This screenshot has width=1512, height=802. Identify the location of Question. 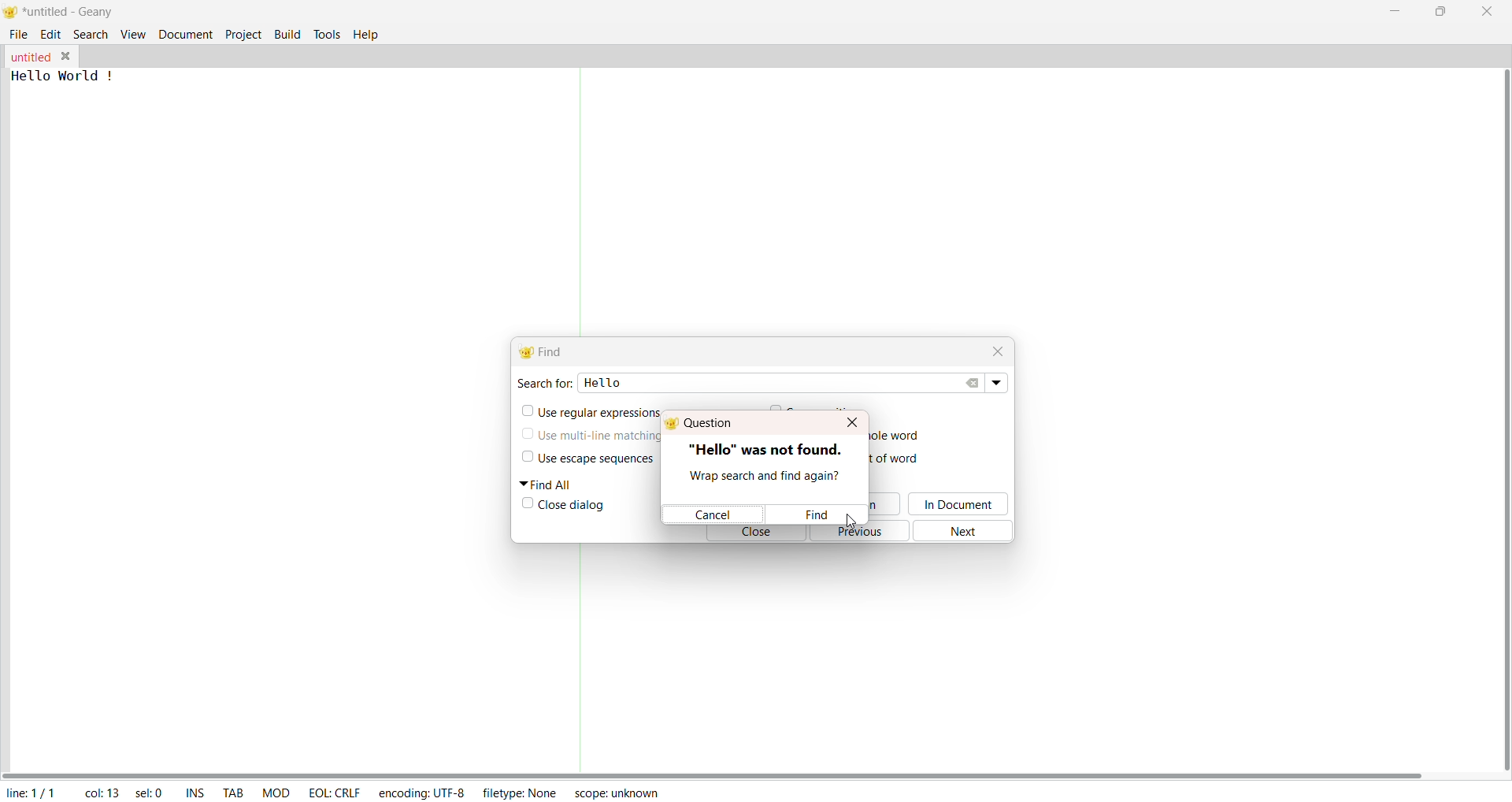
(708, 422).